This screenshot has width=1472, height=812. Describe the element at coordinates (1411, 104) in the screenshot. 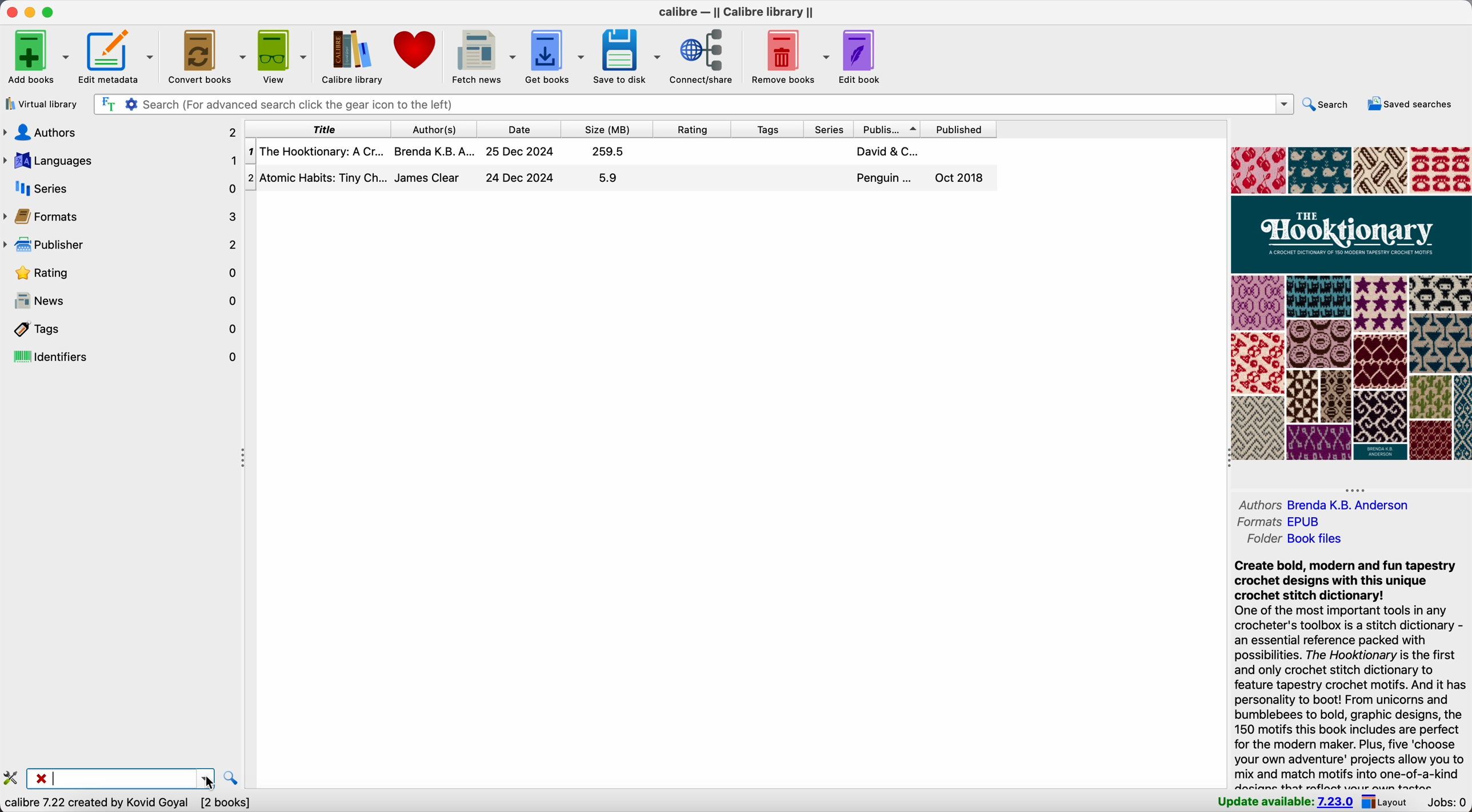

I see `saved searches` at that location.